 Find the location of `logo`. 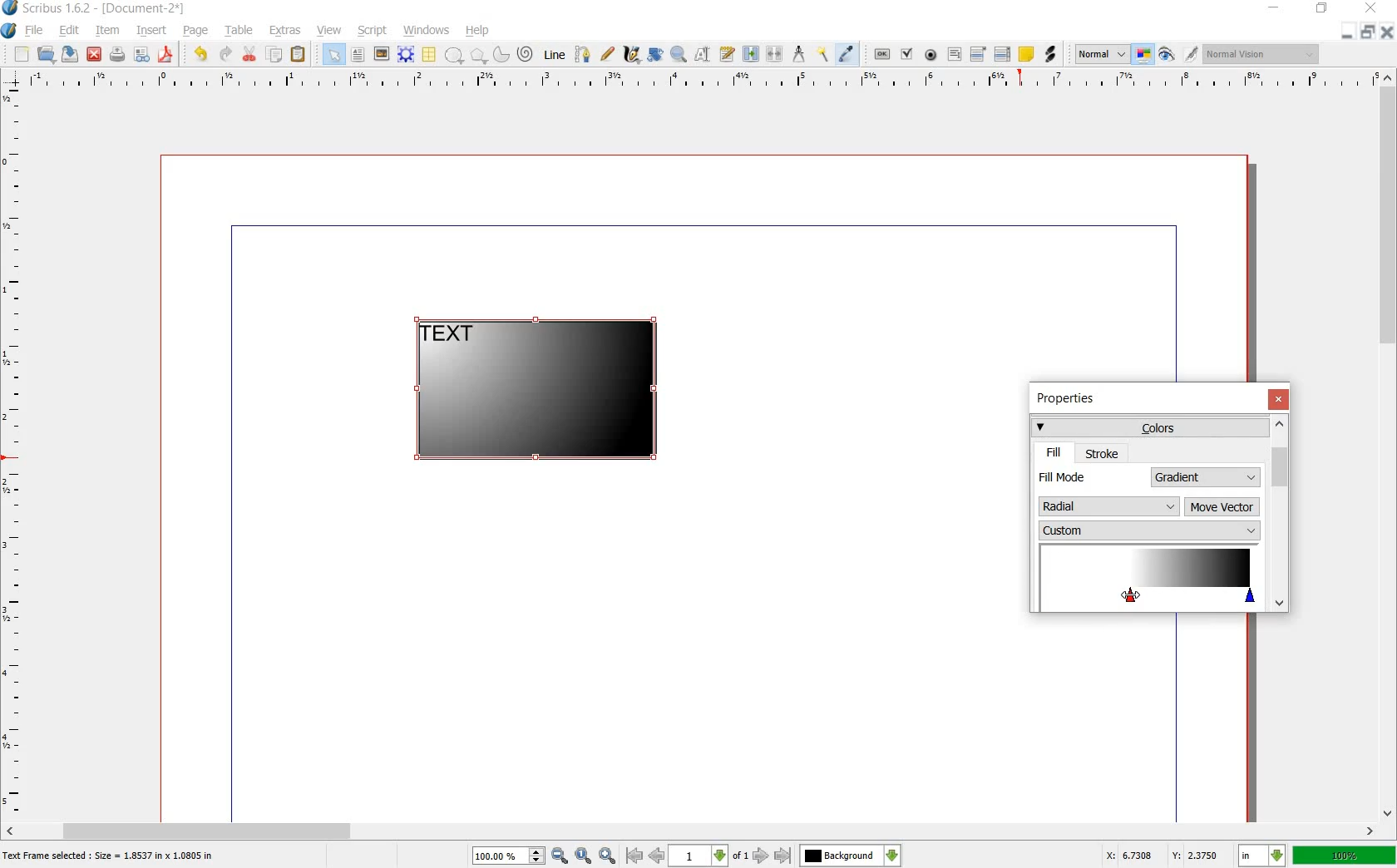

logo is located at coordinates (11, 9).